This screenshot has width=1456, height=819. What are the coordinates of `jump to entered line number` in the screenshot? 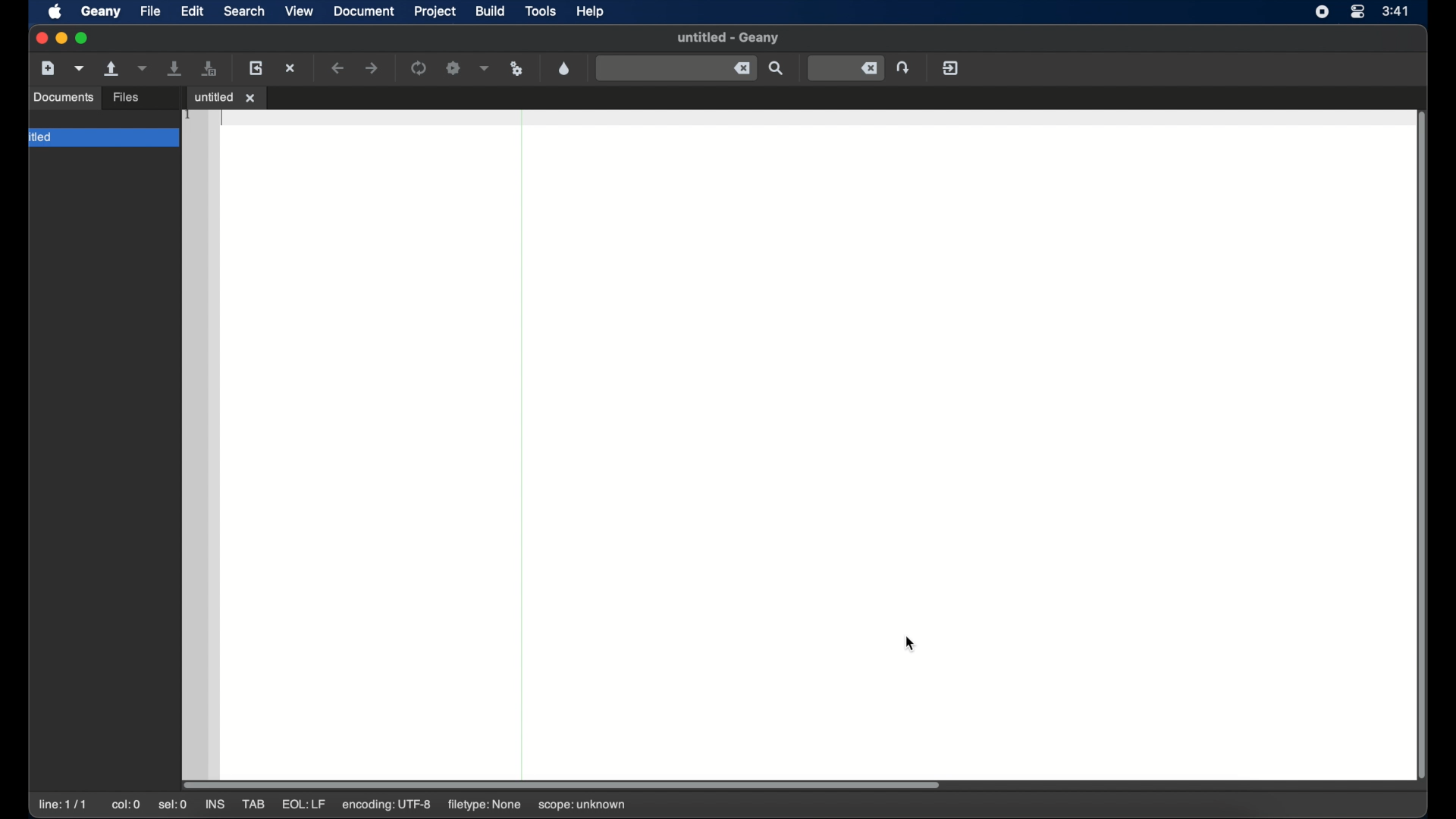 It's located at (903, 67).